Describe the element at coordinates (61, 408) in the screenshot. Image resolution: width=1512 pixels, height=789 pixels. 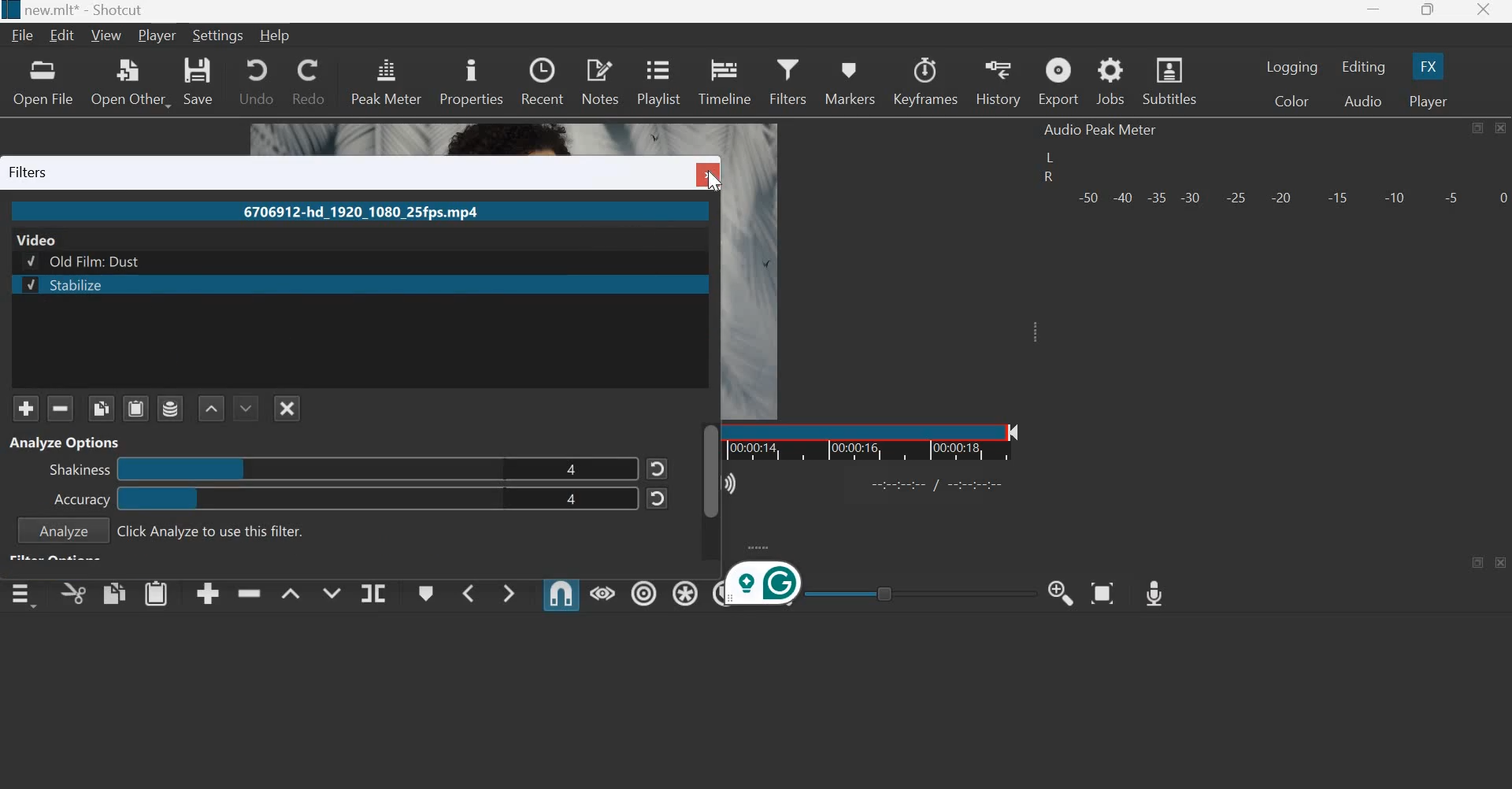
I see `remove selected filter` at that location.